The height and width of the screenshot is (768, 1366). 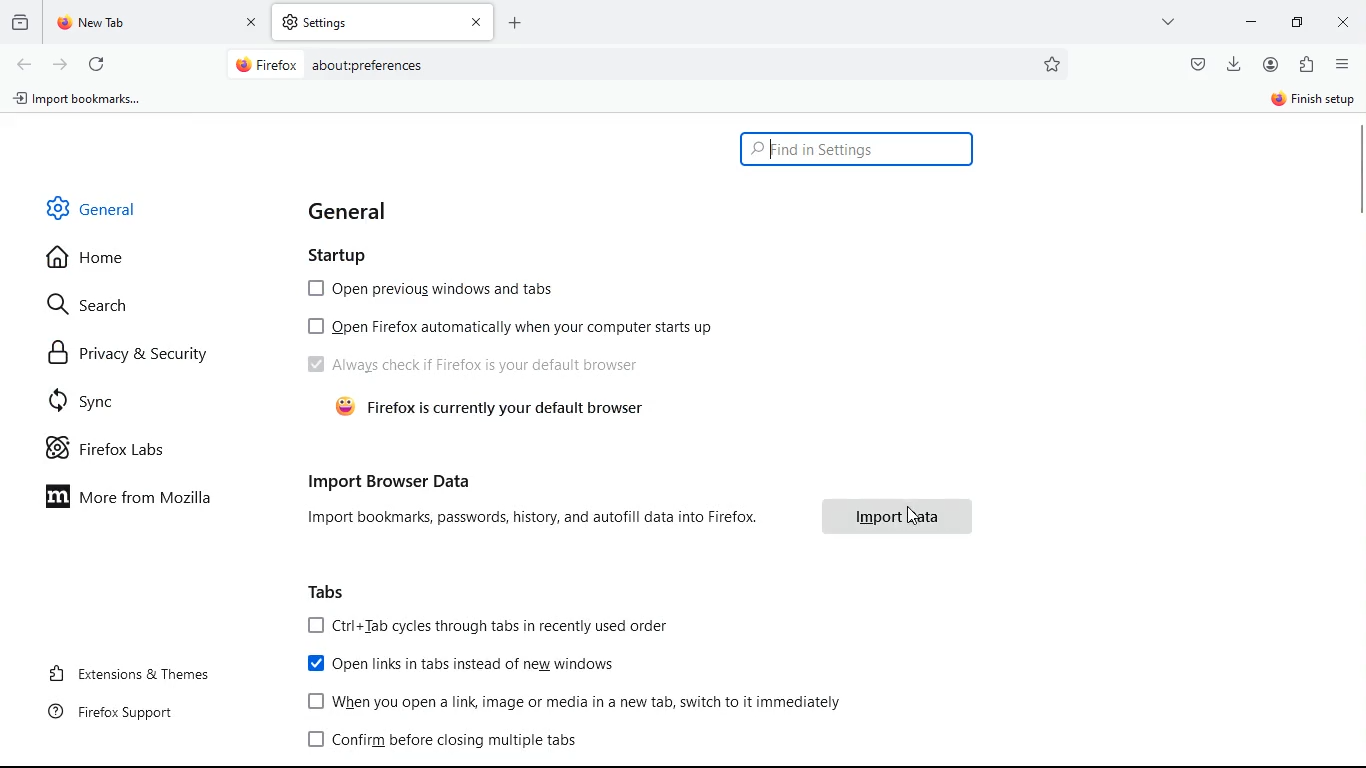 I want to click on import data, so click(x=896, y=517).